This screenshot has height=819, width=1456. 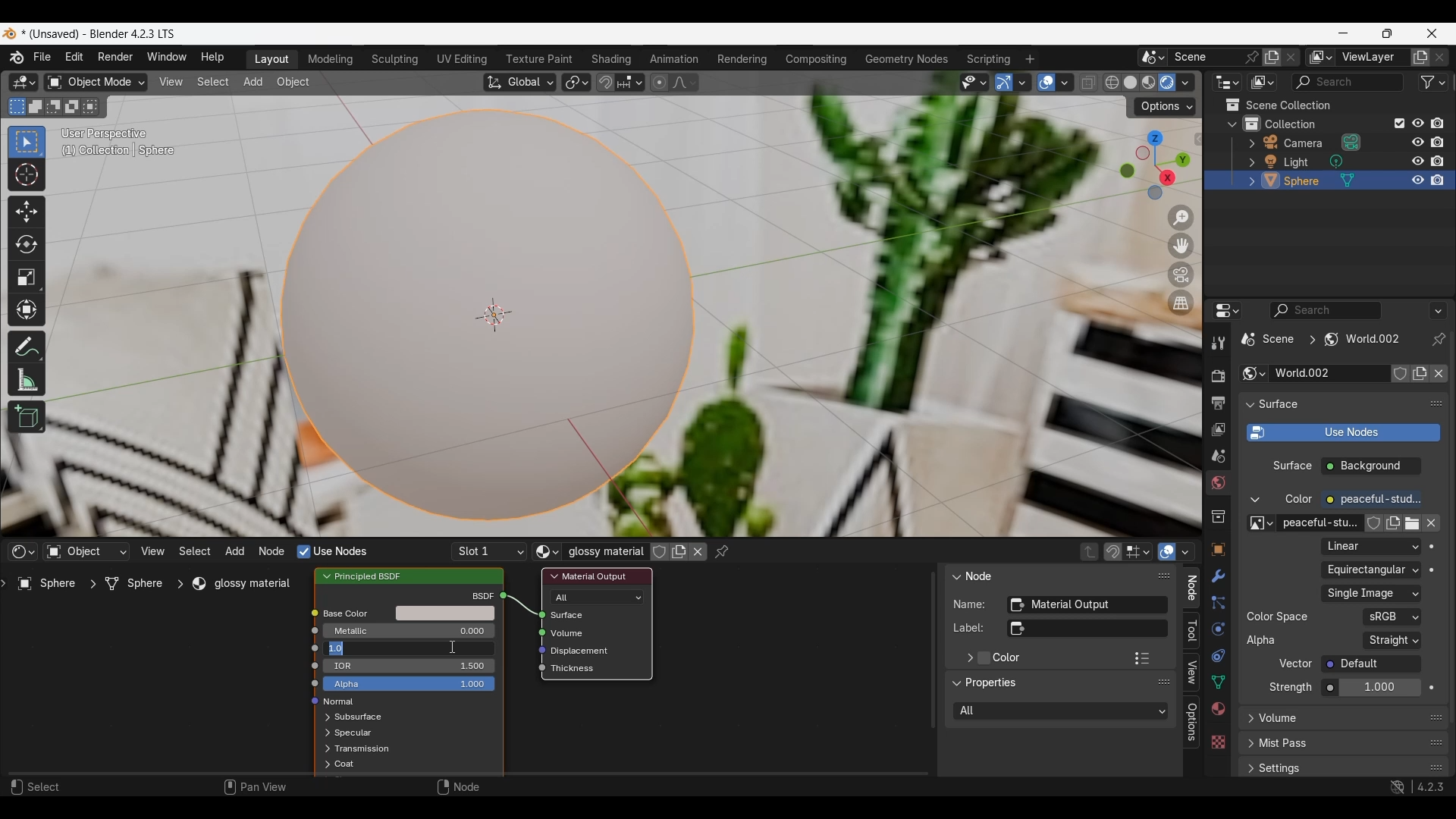 What do you see at coordinates (353, 733) in the screenshot?
I see `Spectacular options` at bounding box center [353, 733].